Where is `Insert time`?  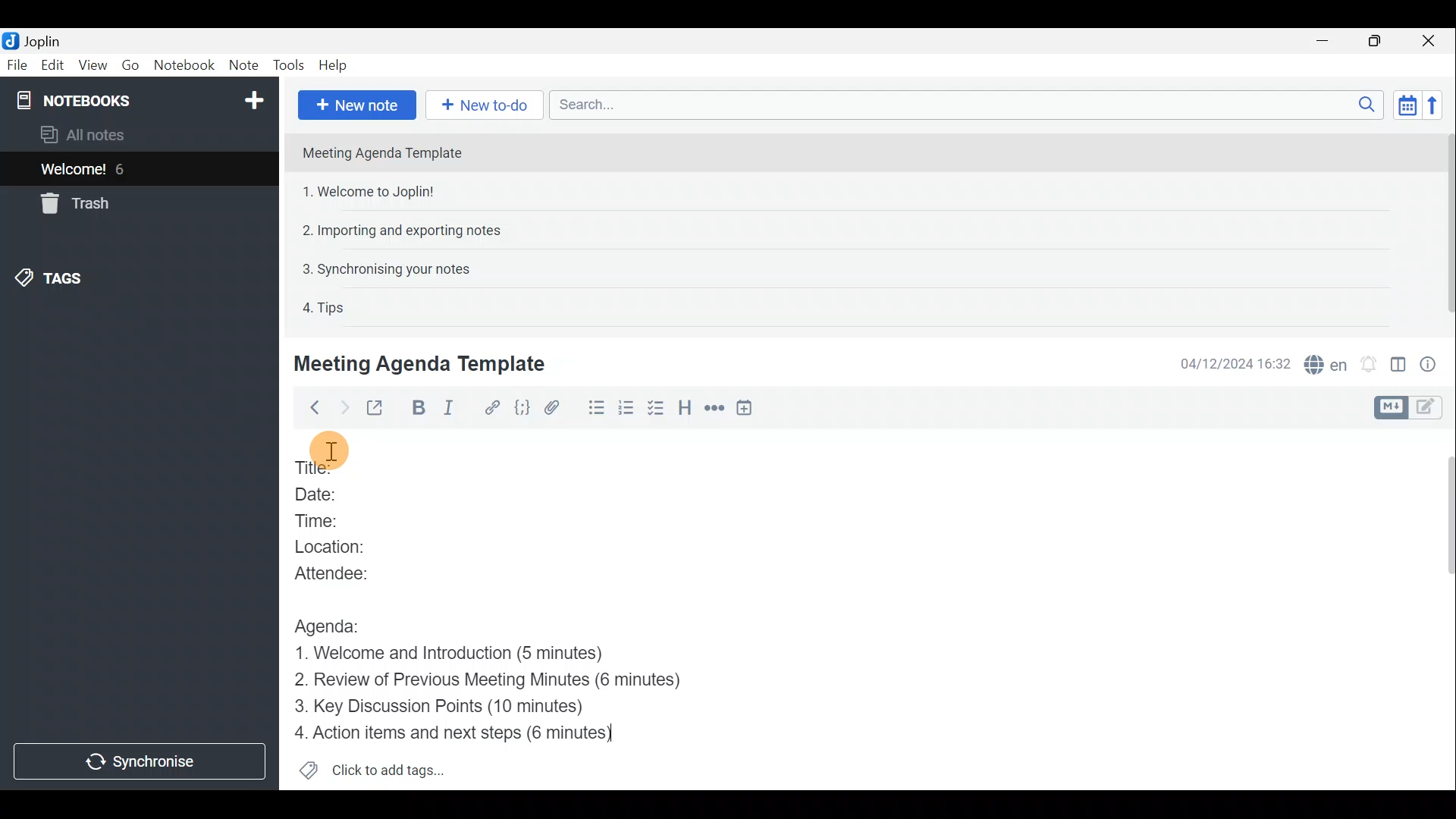 Insert time is located at coordinates (748, 410).